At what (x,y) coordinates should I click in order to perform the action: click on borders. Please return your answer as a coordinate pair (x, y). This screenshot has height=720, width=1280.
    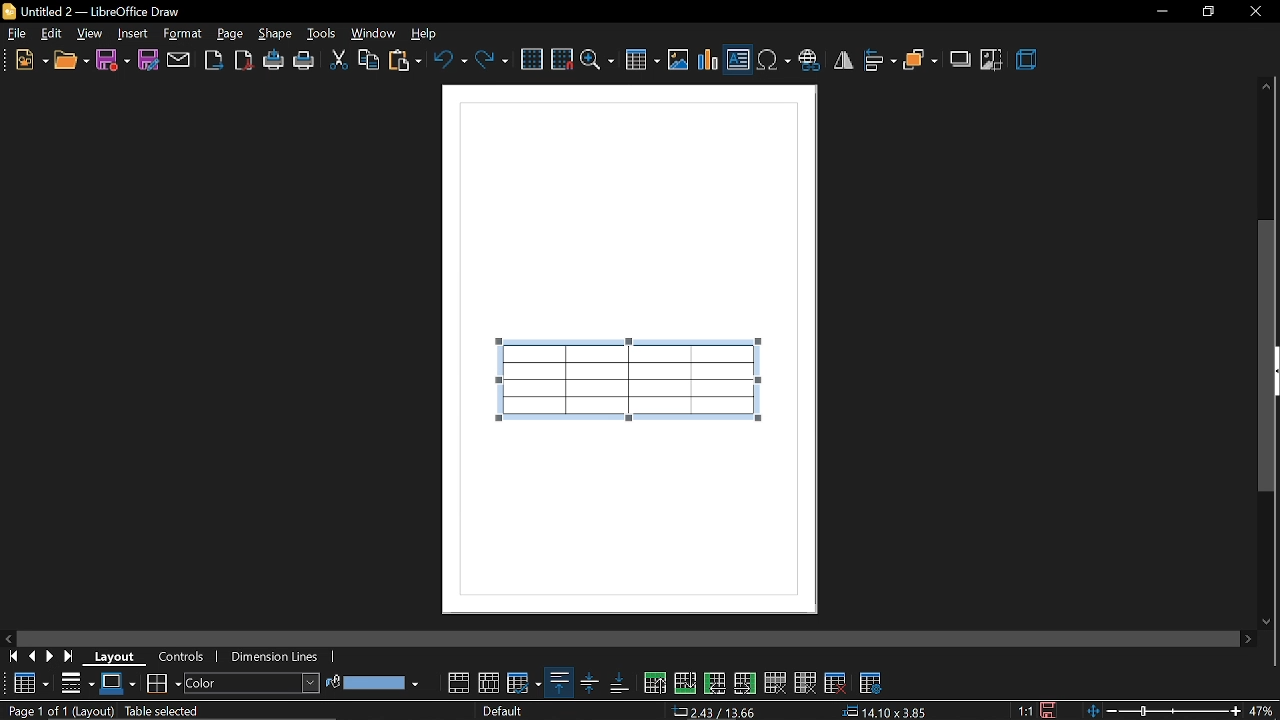
    Looking at the image, I should click on (163, 682).